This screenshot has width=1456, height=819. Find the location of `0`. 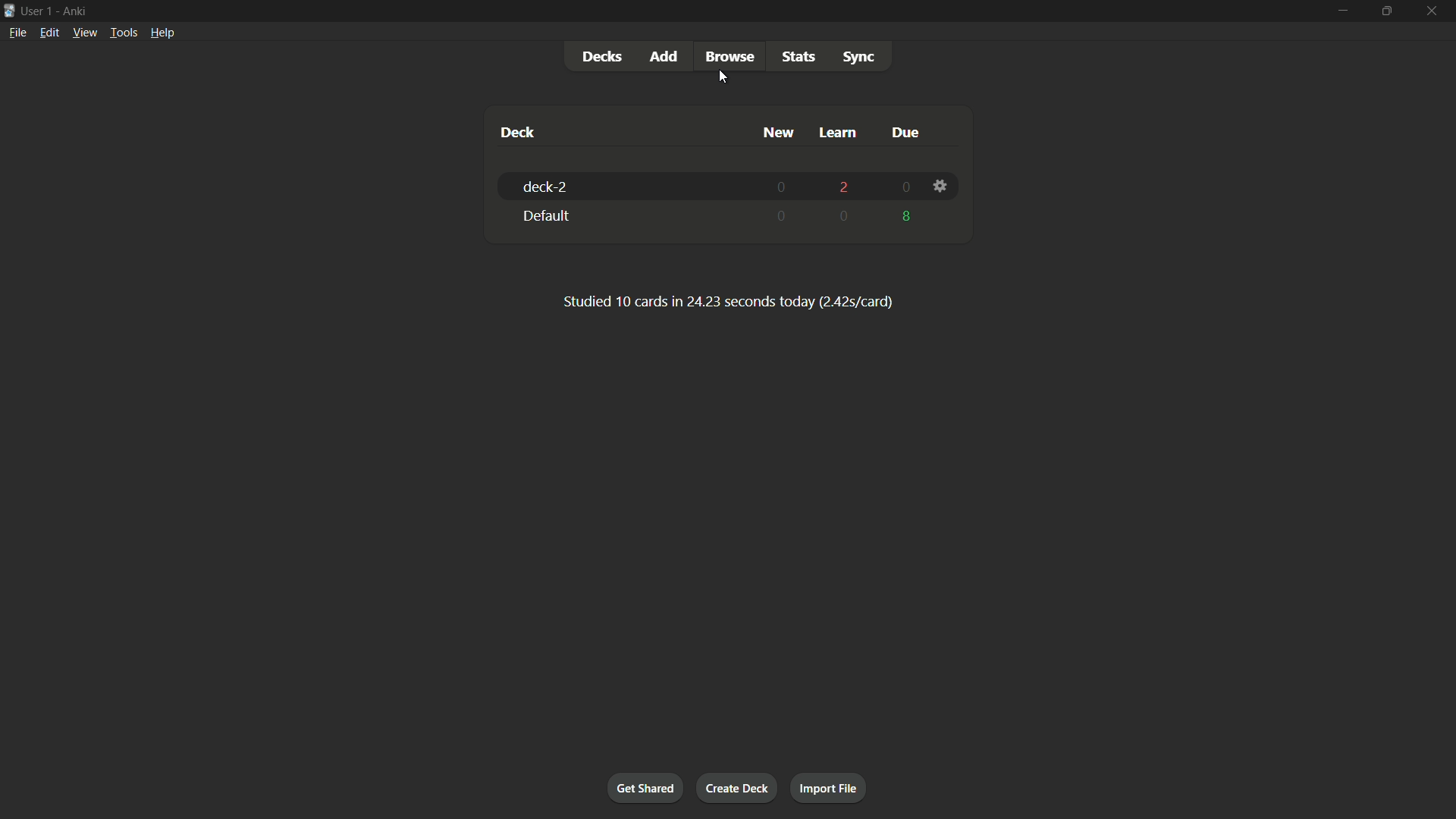

0 is located at coordinates (783, 186).